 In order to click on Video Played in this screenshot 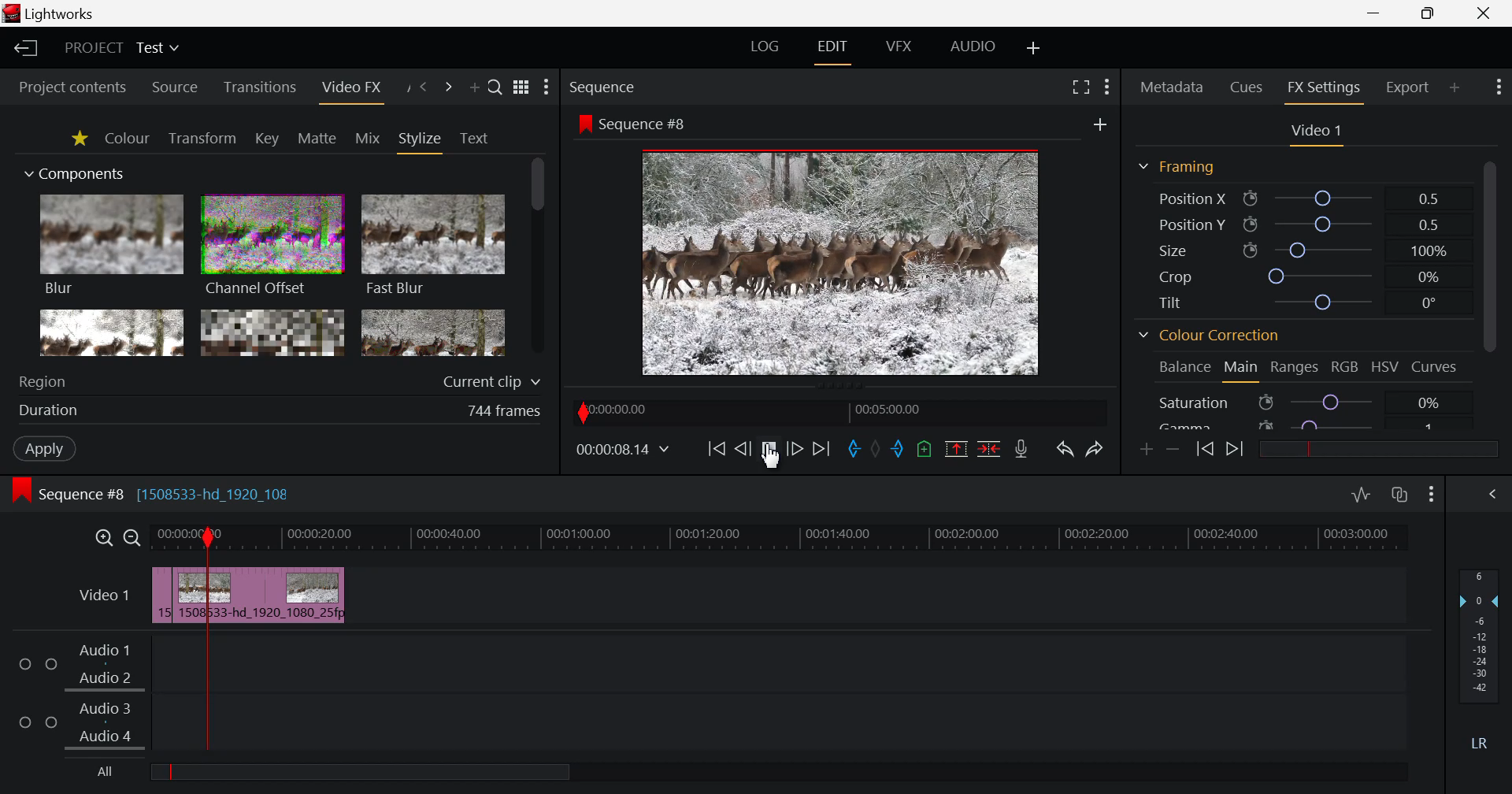, I will do `click(769, 454)`.